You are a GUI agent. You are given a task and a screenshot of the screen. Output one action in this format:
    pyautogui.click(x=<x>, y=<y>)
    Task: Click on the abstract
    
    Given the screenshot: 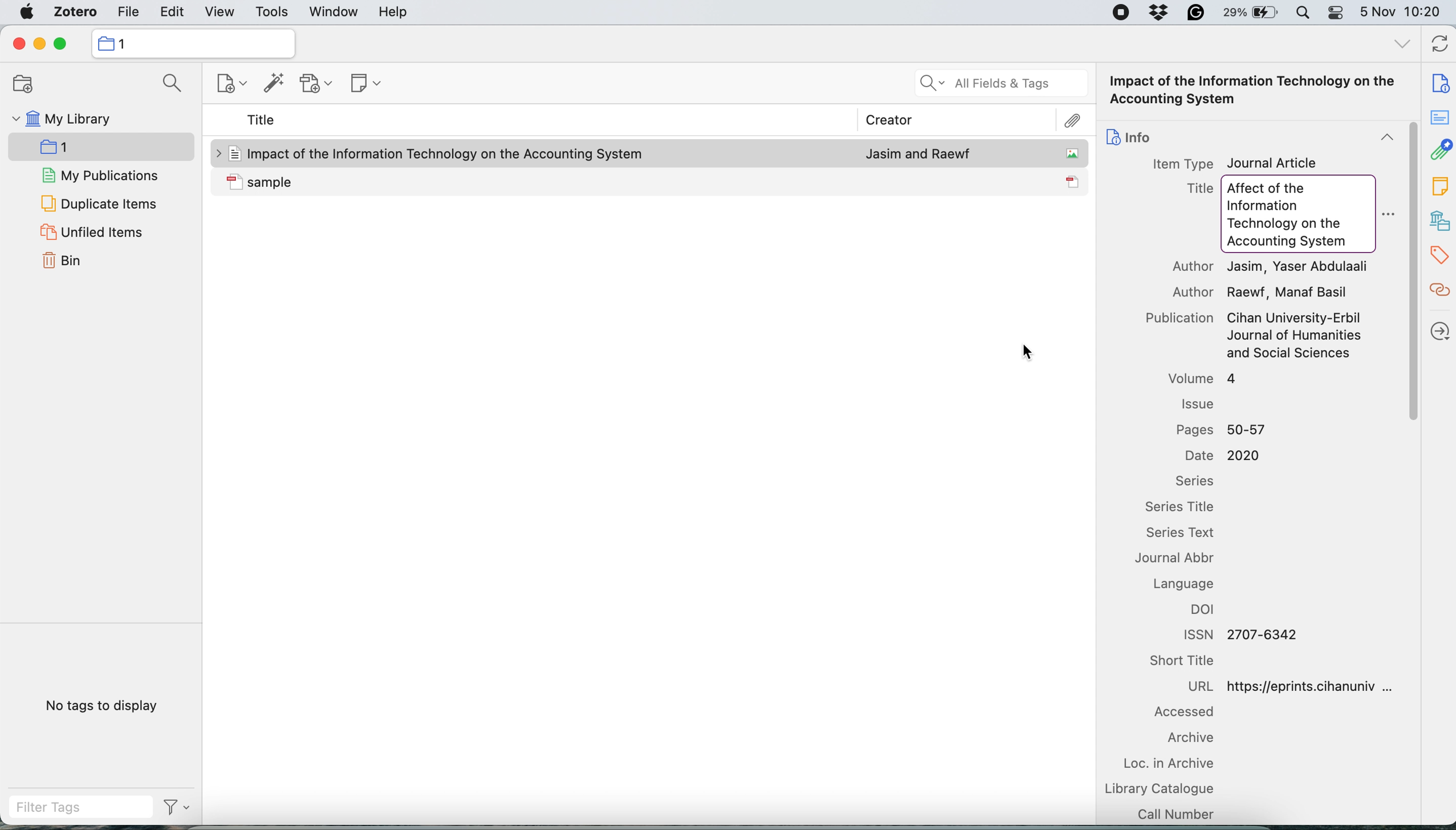 What is the action you would take?
    pyautogui.click(x=1439, y=118)
    